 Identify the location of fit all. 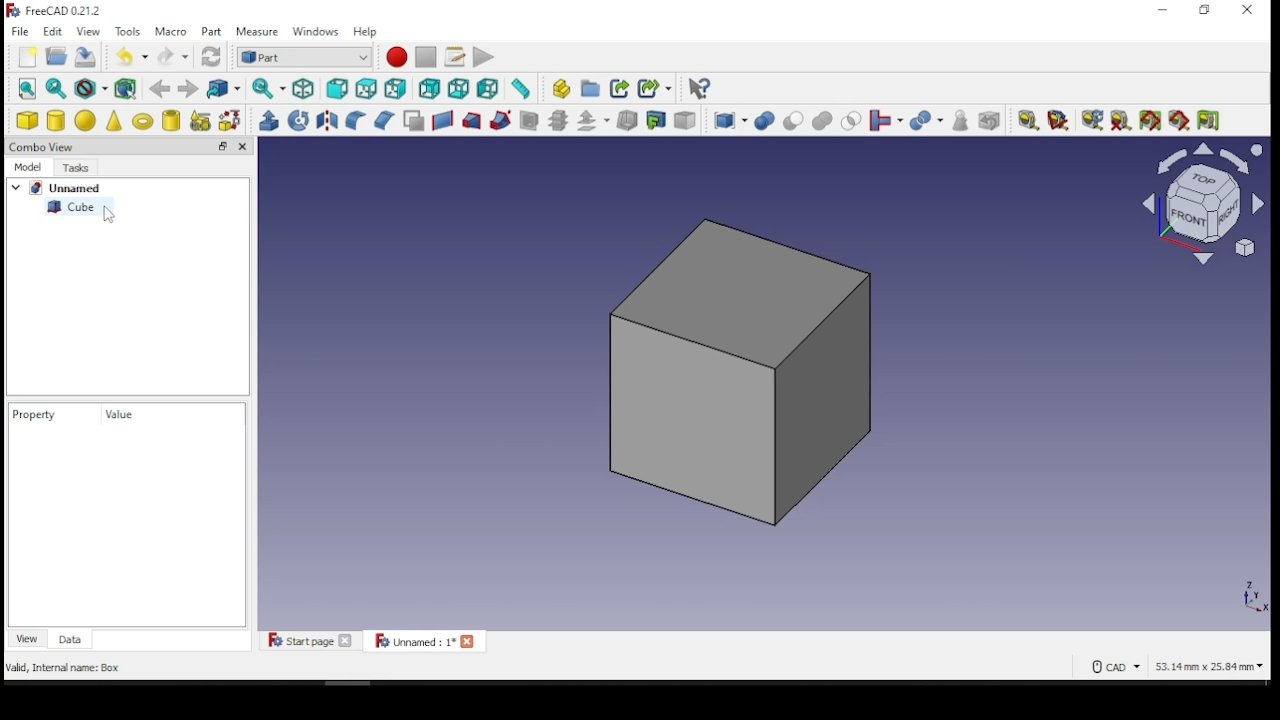
(28, 88).